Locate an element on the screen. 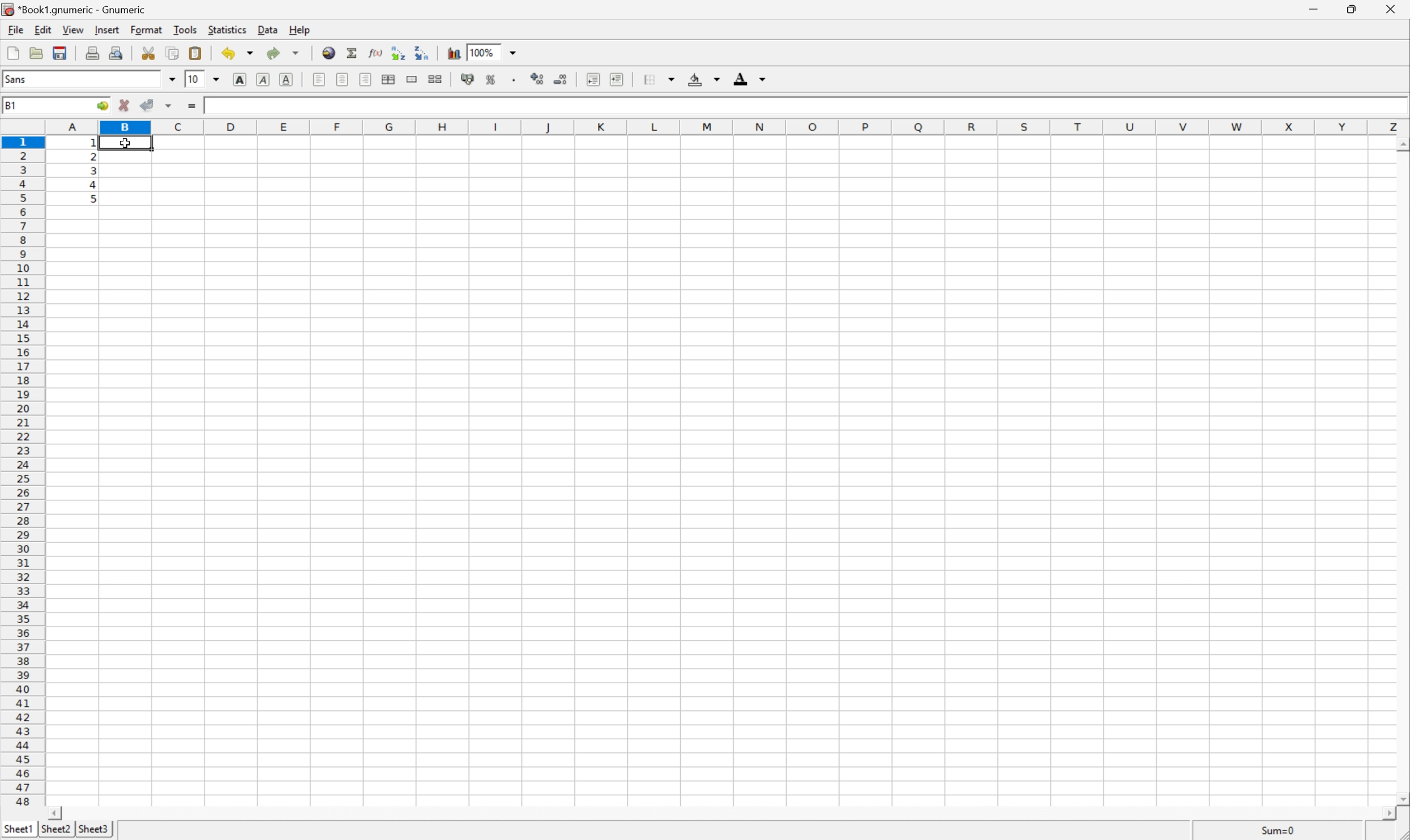  Open a file is located at coordinates (35, 53).